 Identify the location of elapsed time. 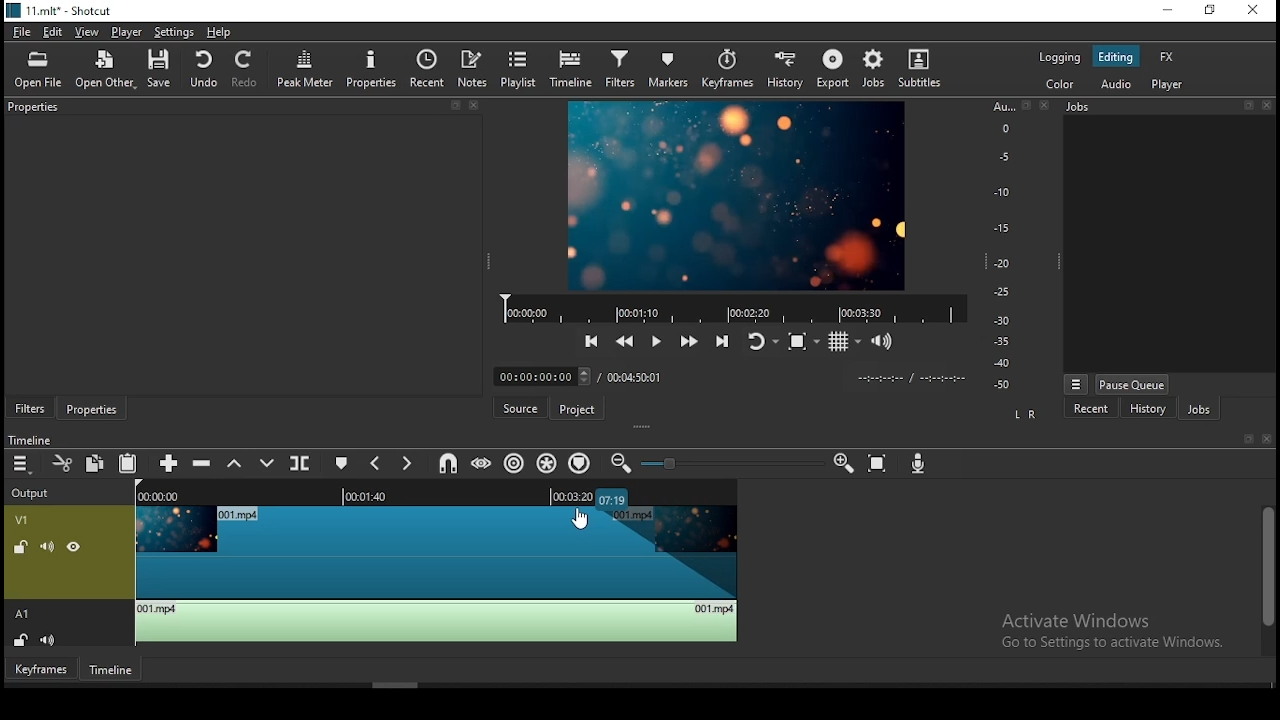
(537, 378).